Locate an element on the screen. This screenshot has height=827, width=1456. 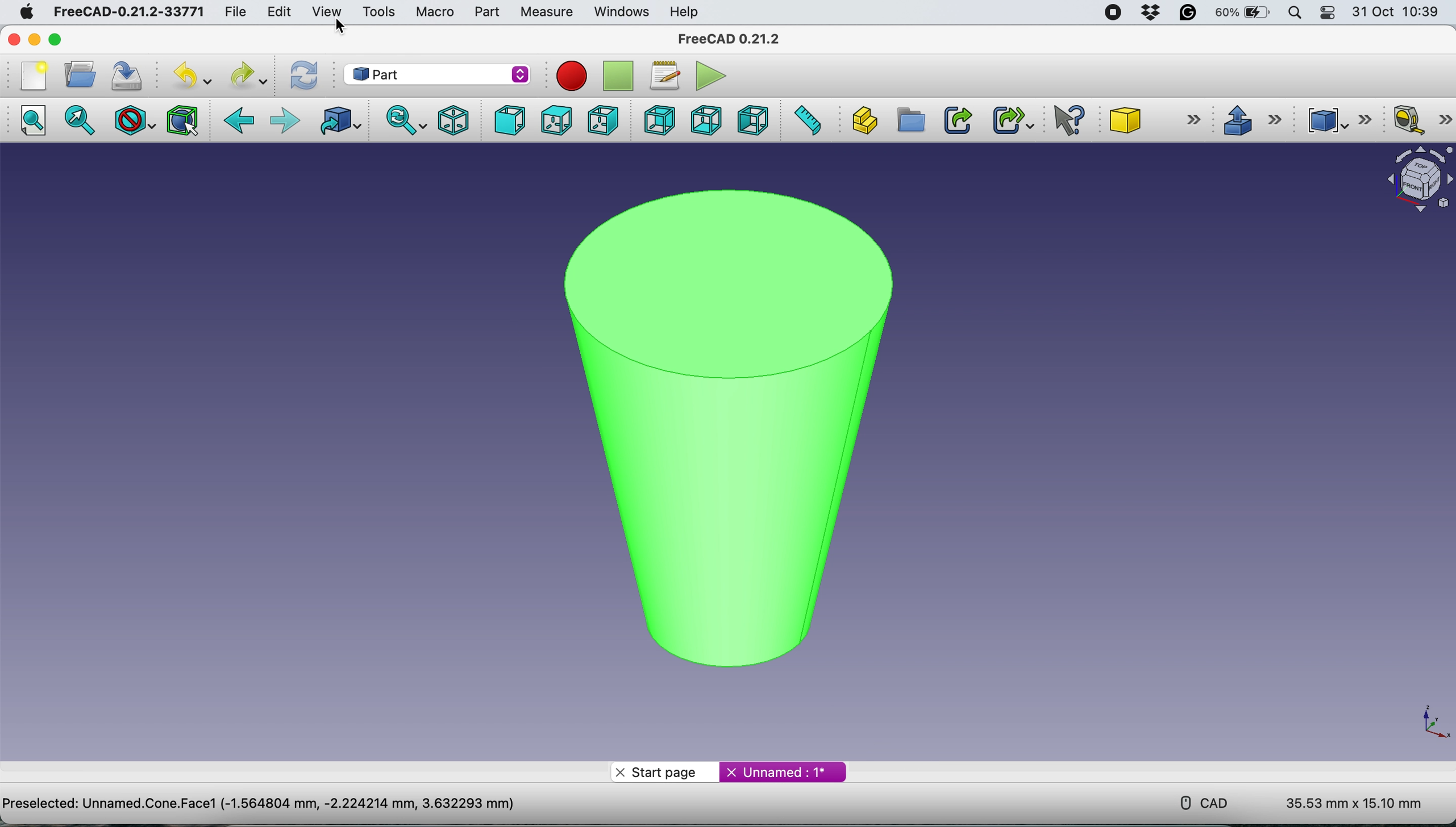
dropbox is located at coordinates (1147, 13).